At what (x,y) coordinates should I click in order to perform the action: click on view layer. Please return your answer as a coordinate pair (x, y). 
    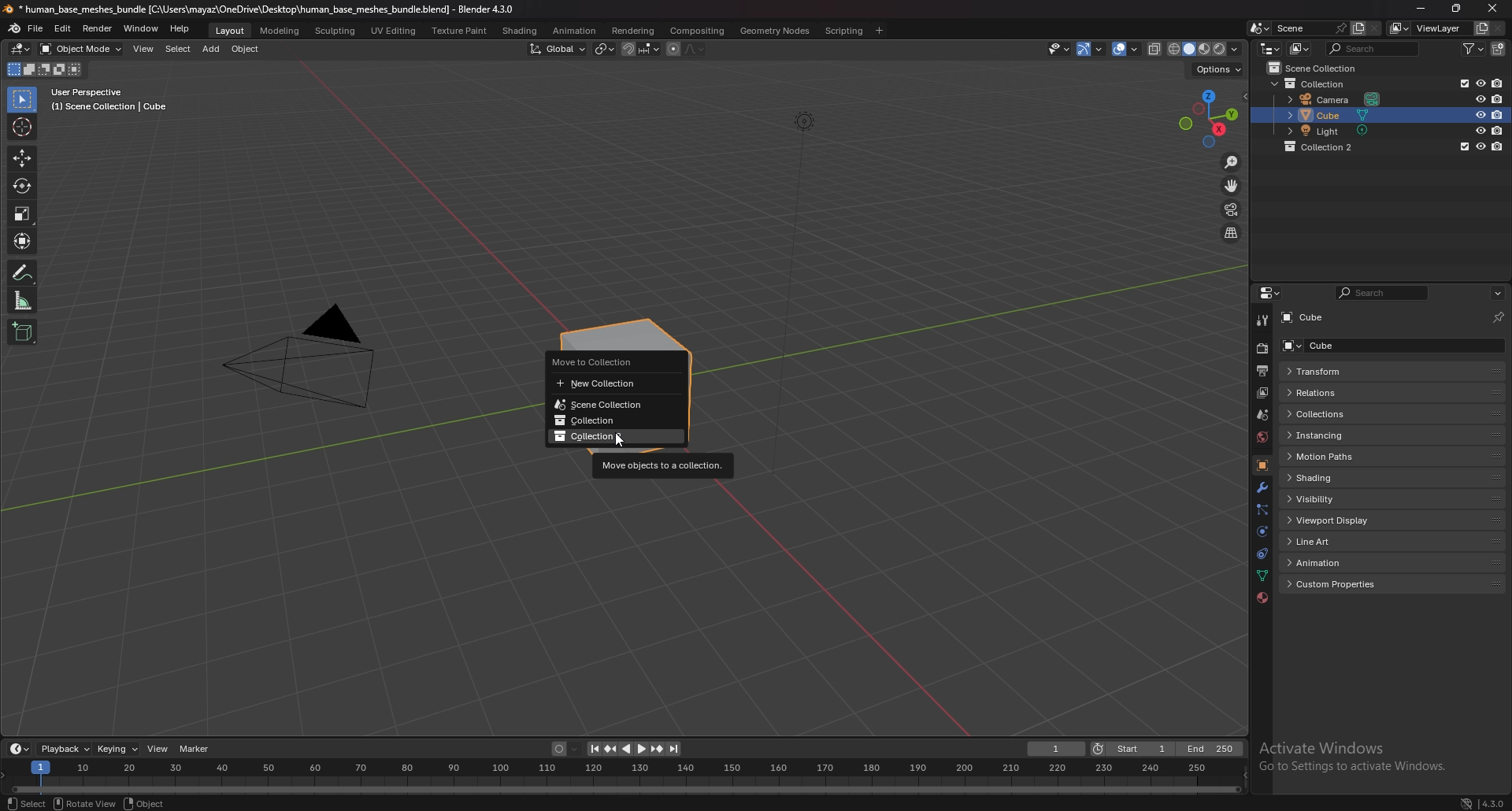
    Looking at the image, I should click on (1262, 393).